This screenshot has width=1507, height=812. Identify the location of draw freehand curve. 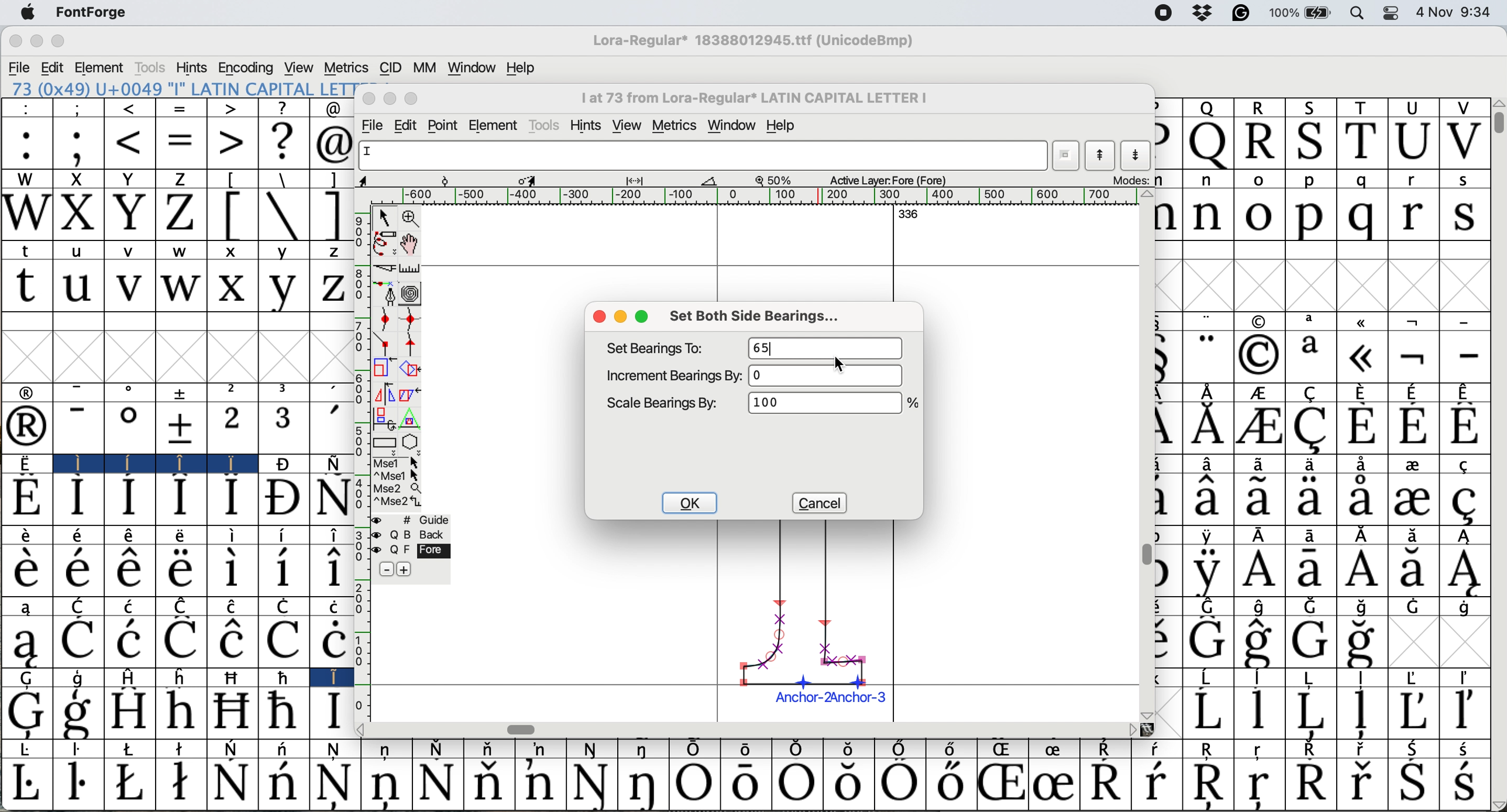
(383, 242).